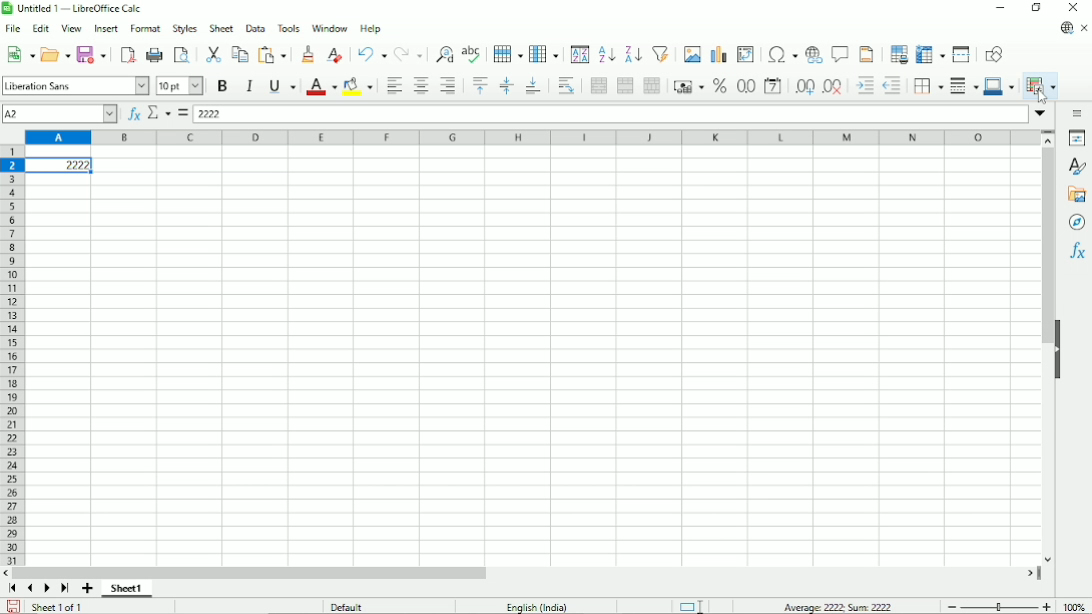 The height and width of the screenshot is (614, 1092). I want to click on Sheet 1 of 1, so click(58, 606).